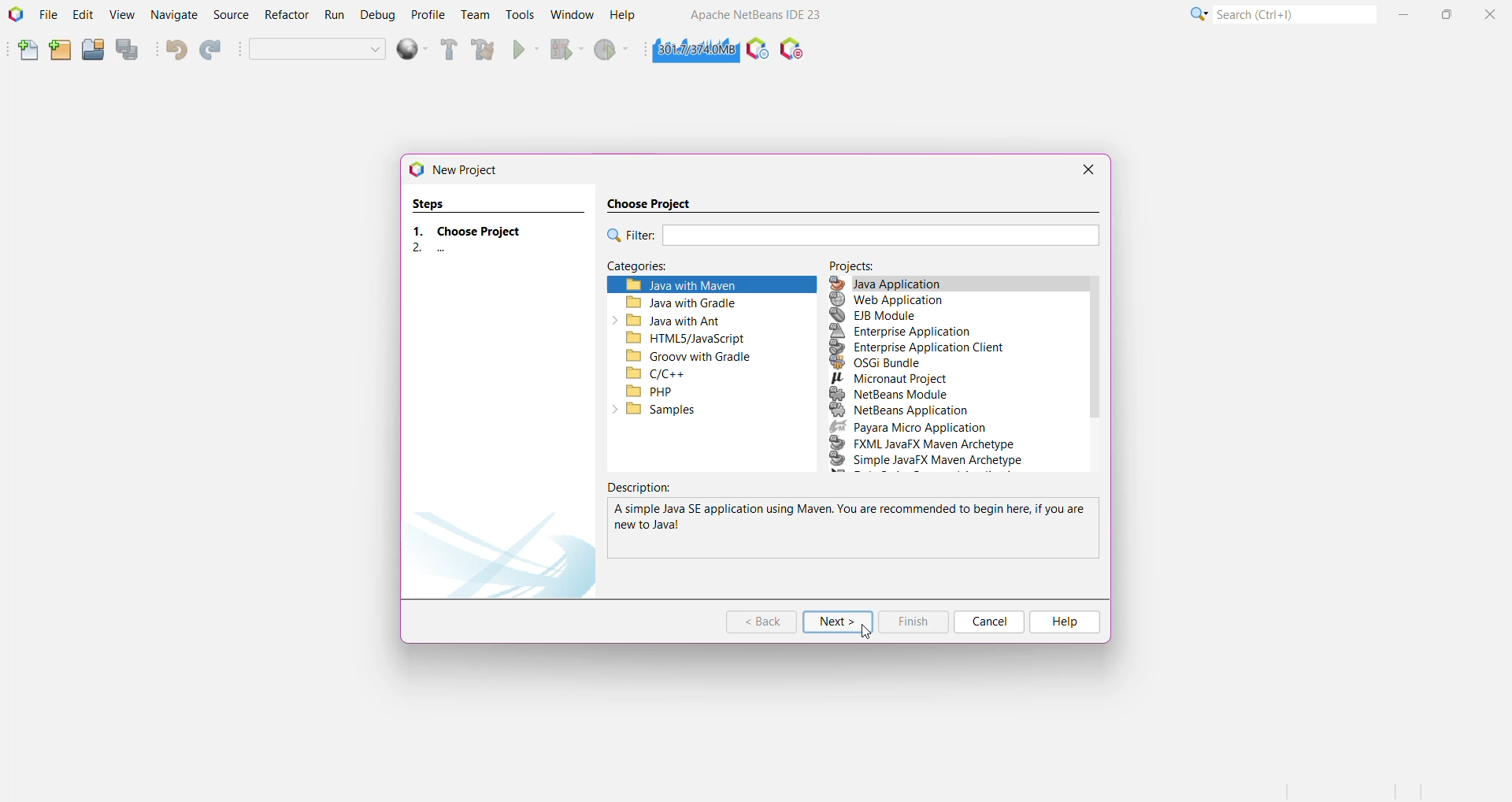 This screenshot has width=1512, height=802. Describe the element at coordinates (1065, 622) in the screenshot. I see `Help` at that location.